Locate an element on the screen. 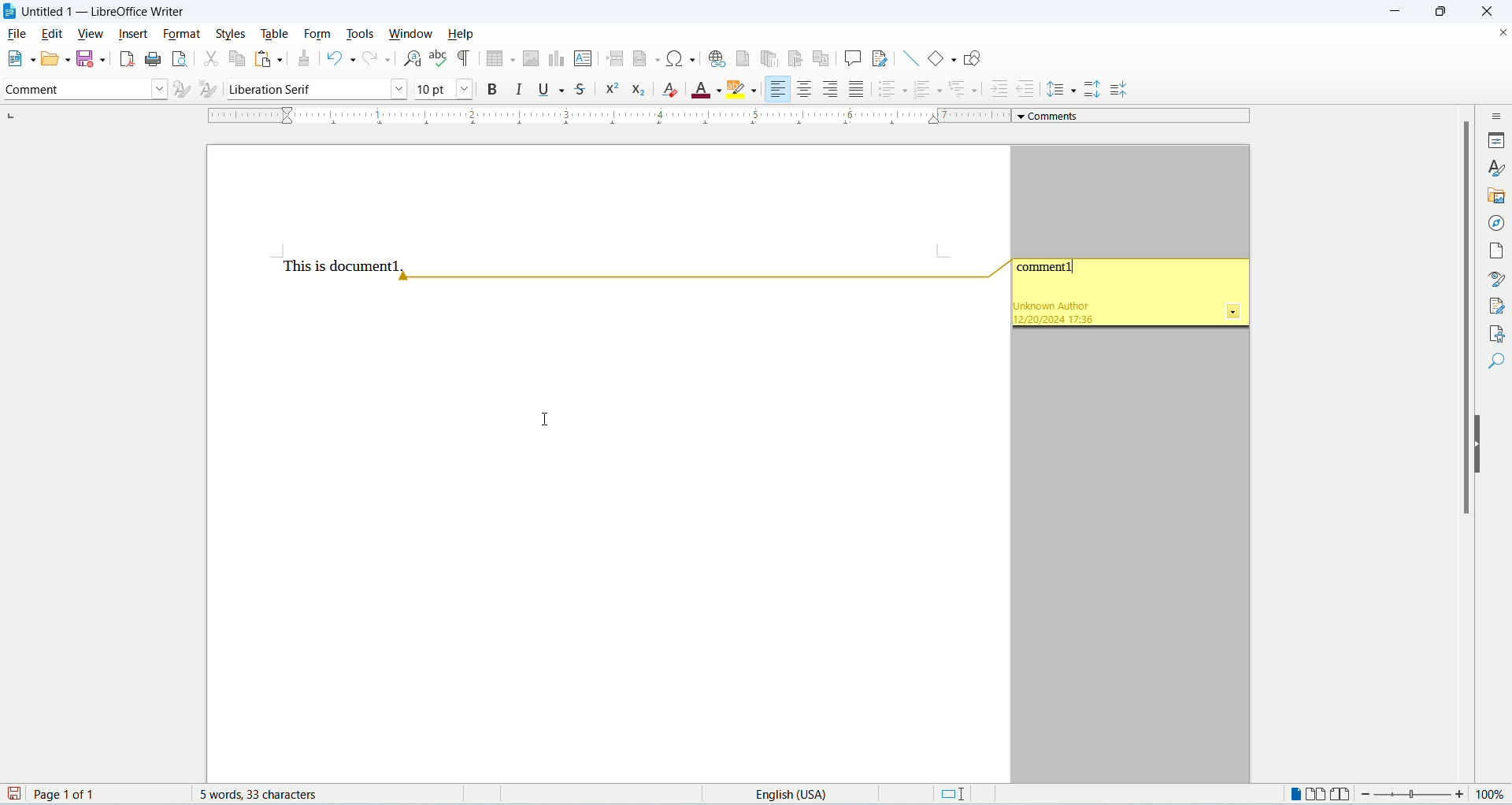 This screenshot has width=1512, height=805. close document is located at coordinates (1499, 32).